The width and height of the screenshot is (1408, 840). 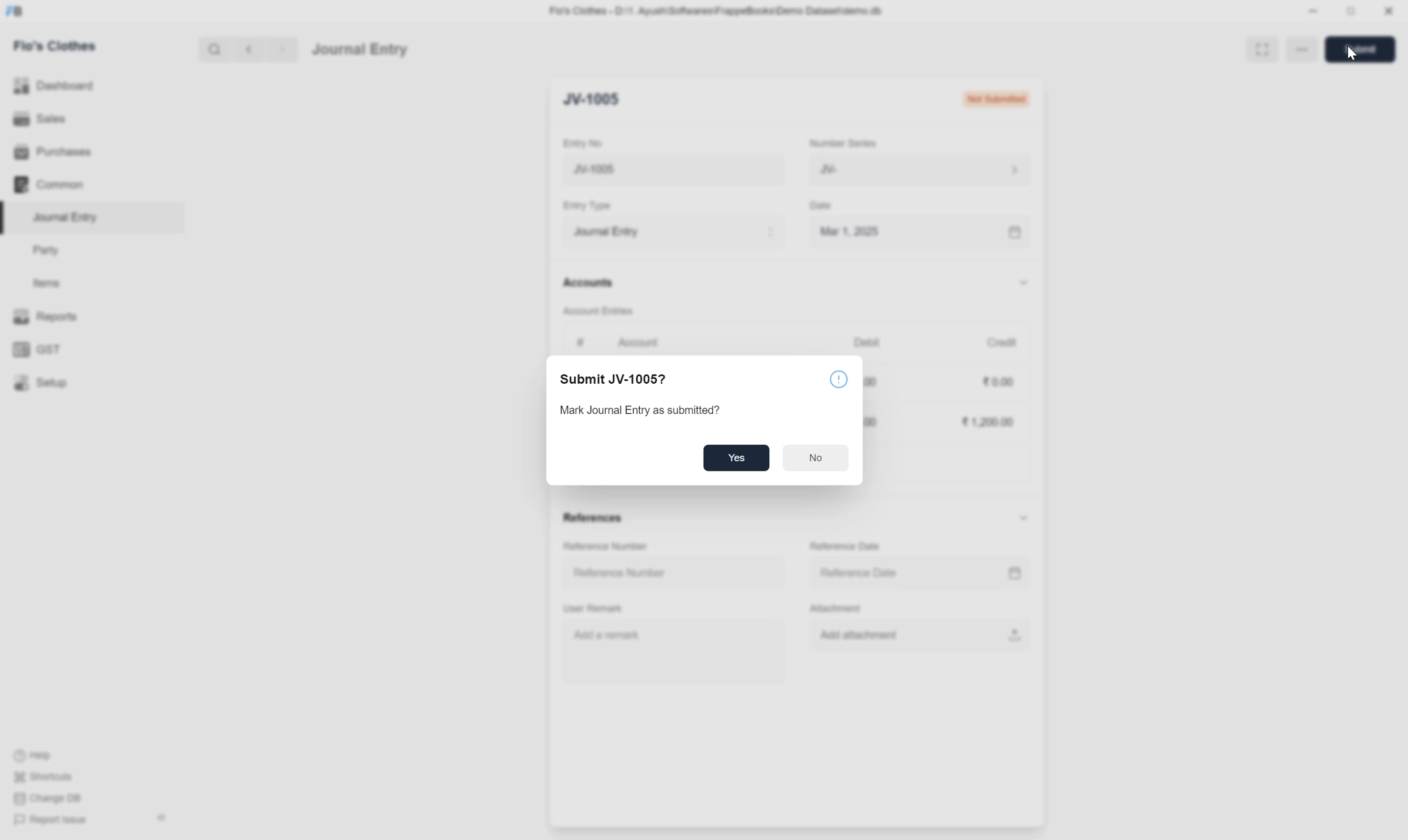 I want to click on User Remark, so click(x=595, y=609).